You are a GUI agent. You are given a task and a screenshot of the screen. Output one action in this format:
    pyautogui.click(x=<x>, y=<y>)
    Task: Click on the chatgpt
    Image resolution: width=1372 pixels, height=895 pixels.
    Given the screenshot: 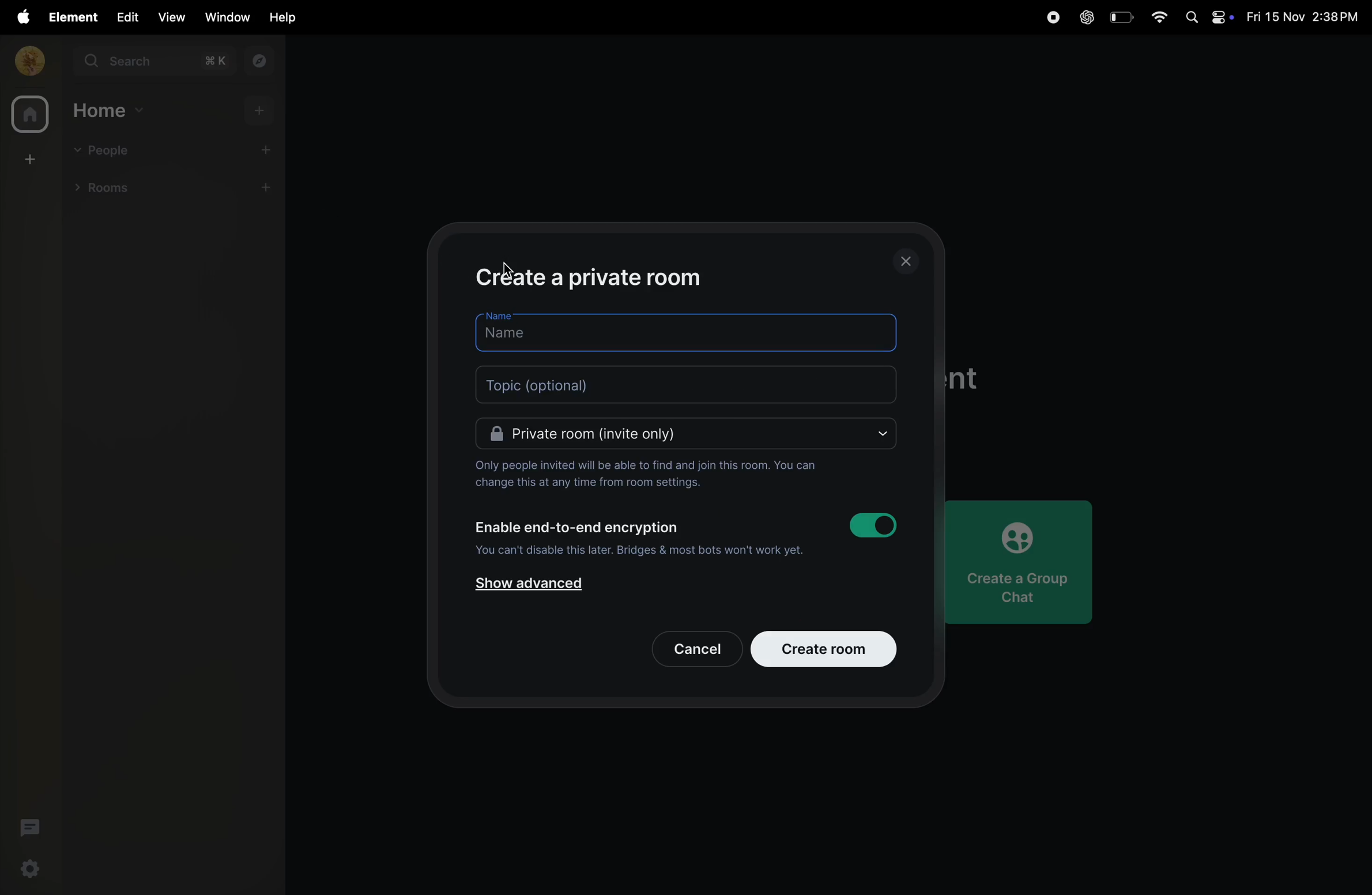 What is the action you would take?
    pyautogui.click(x=1086, y=18)
    